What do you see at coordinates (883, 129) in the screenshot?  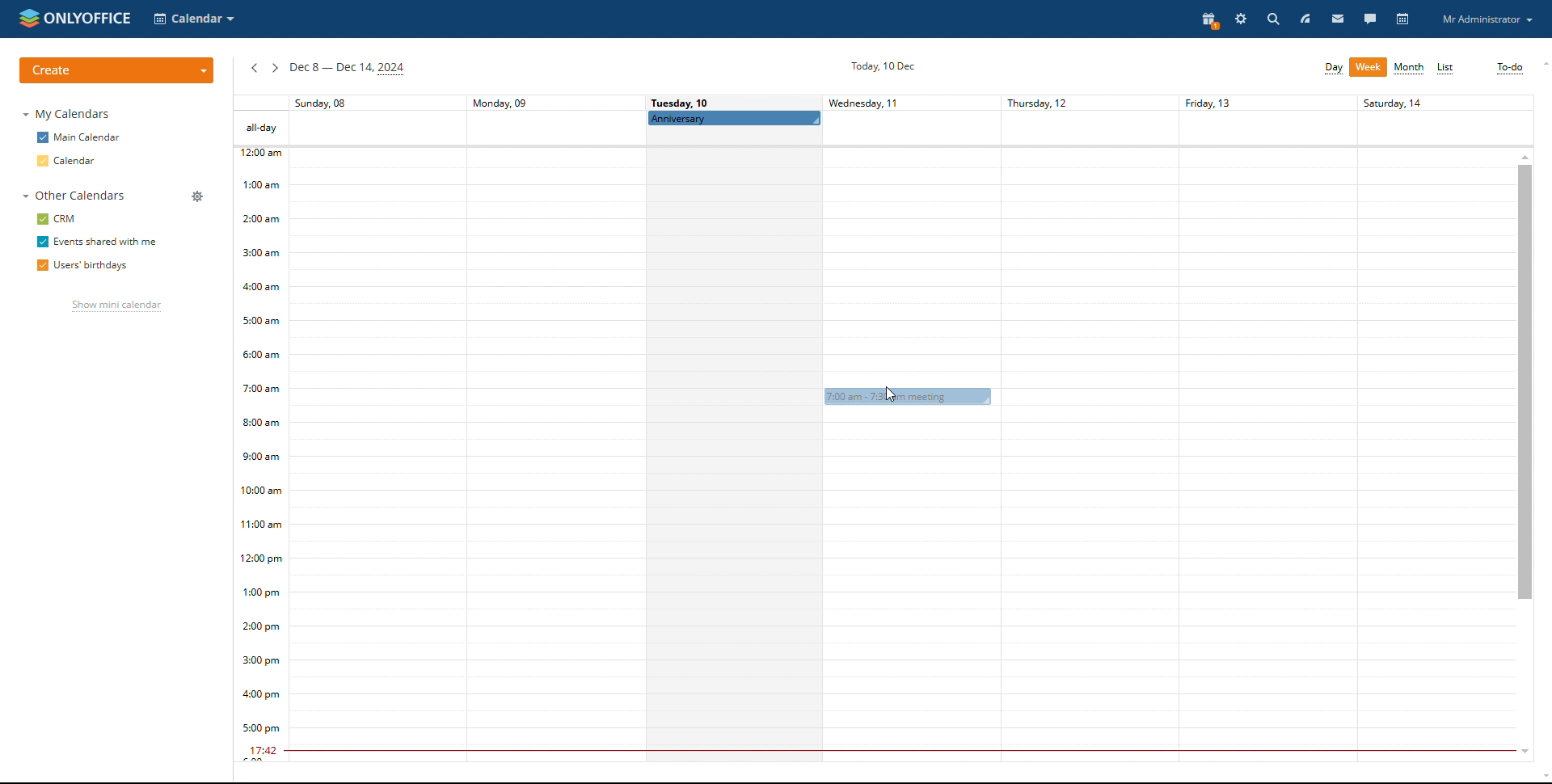 I see `all day events` at bounding box center [883, 129].